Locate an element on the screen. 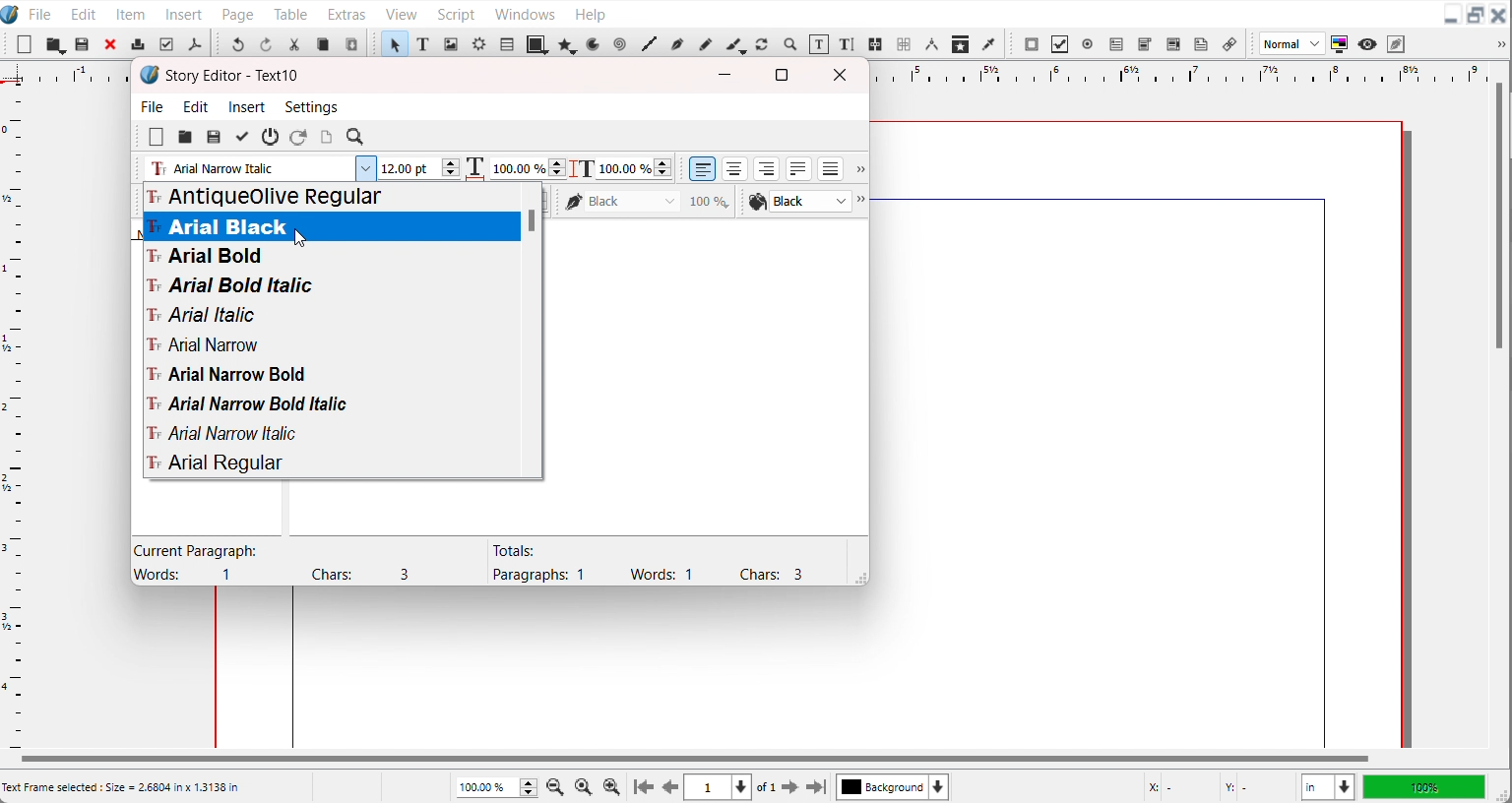 Image resolution: width=1512 pixels, height=803 pixels. Align text right is located at coordinates (767, 168).